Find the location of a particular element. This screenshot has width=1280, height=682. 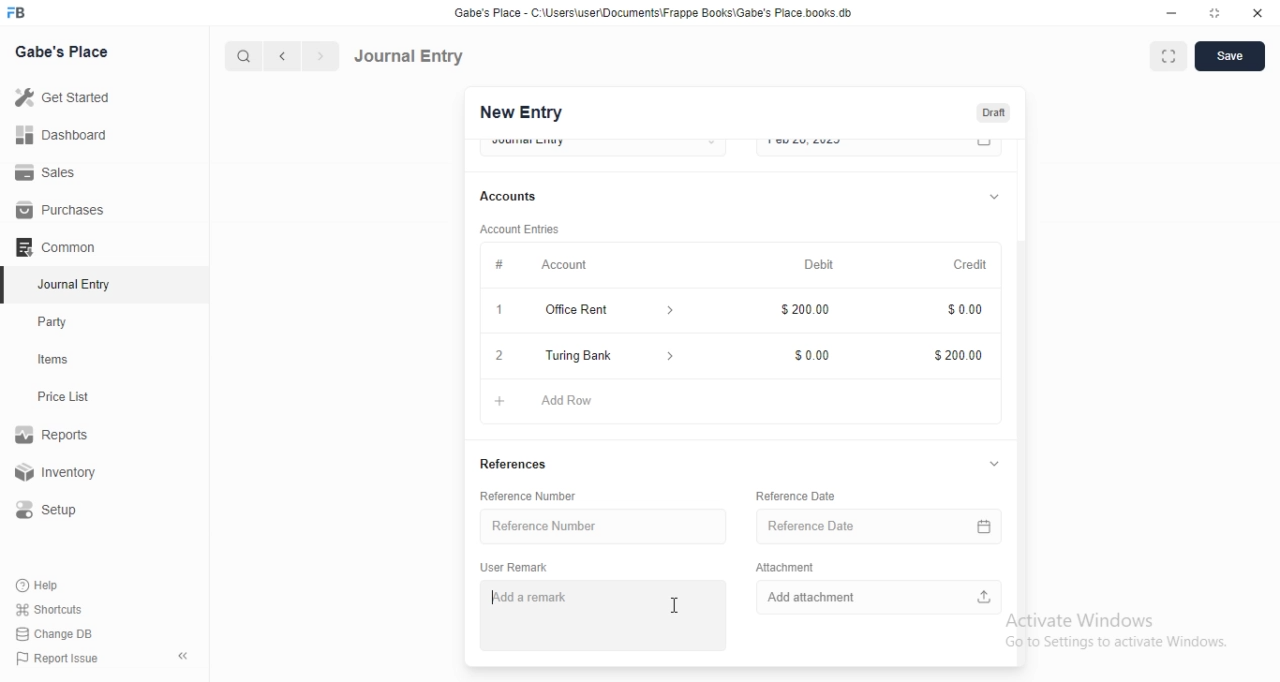

Inventory is located at coordinates (59, 474).